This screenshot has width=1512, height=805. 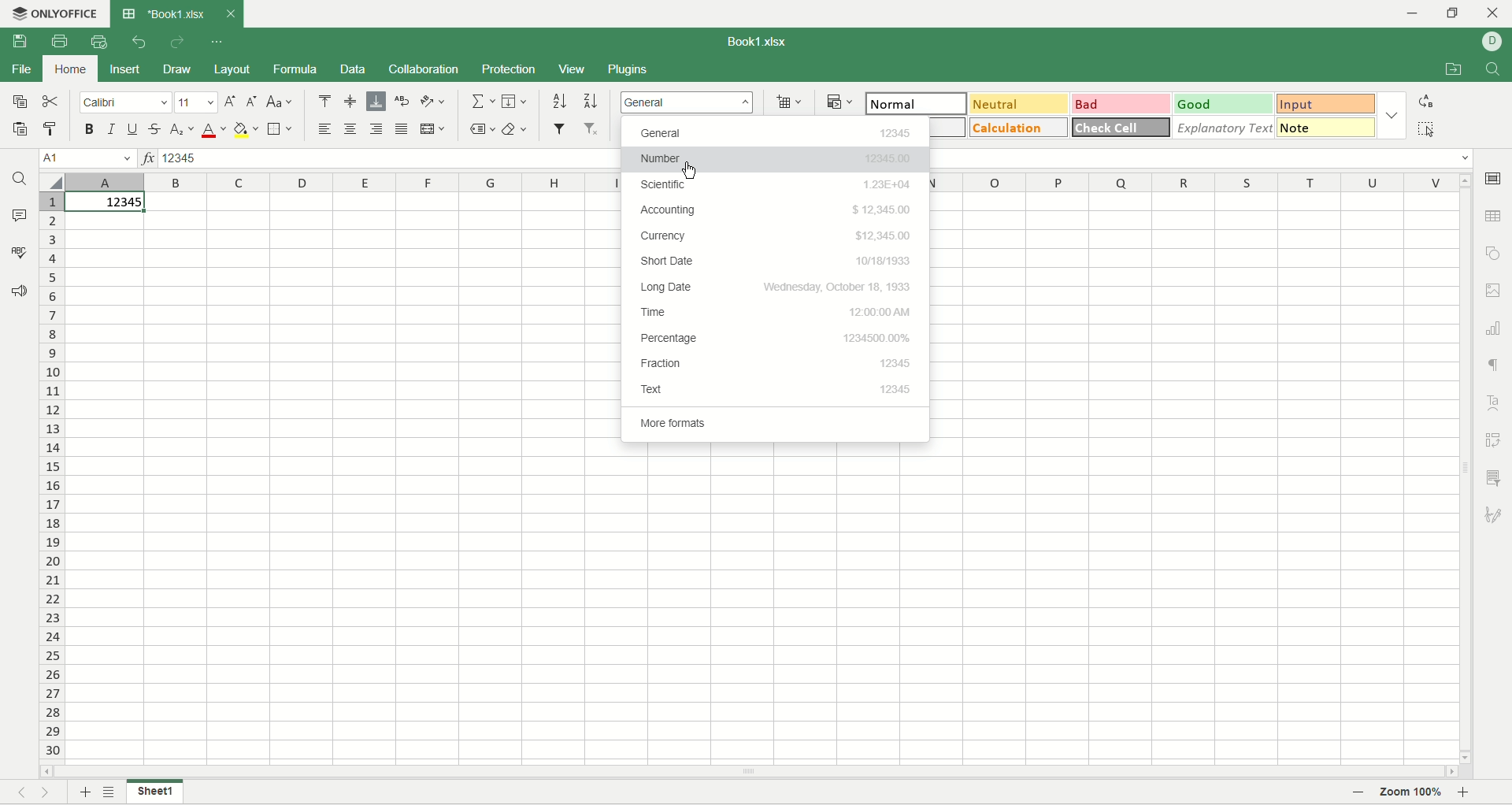 What do you see at coordinates (1225, 128) in the screenshot?
I see `explanatory text` at bounding box center [1225, 128].